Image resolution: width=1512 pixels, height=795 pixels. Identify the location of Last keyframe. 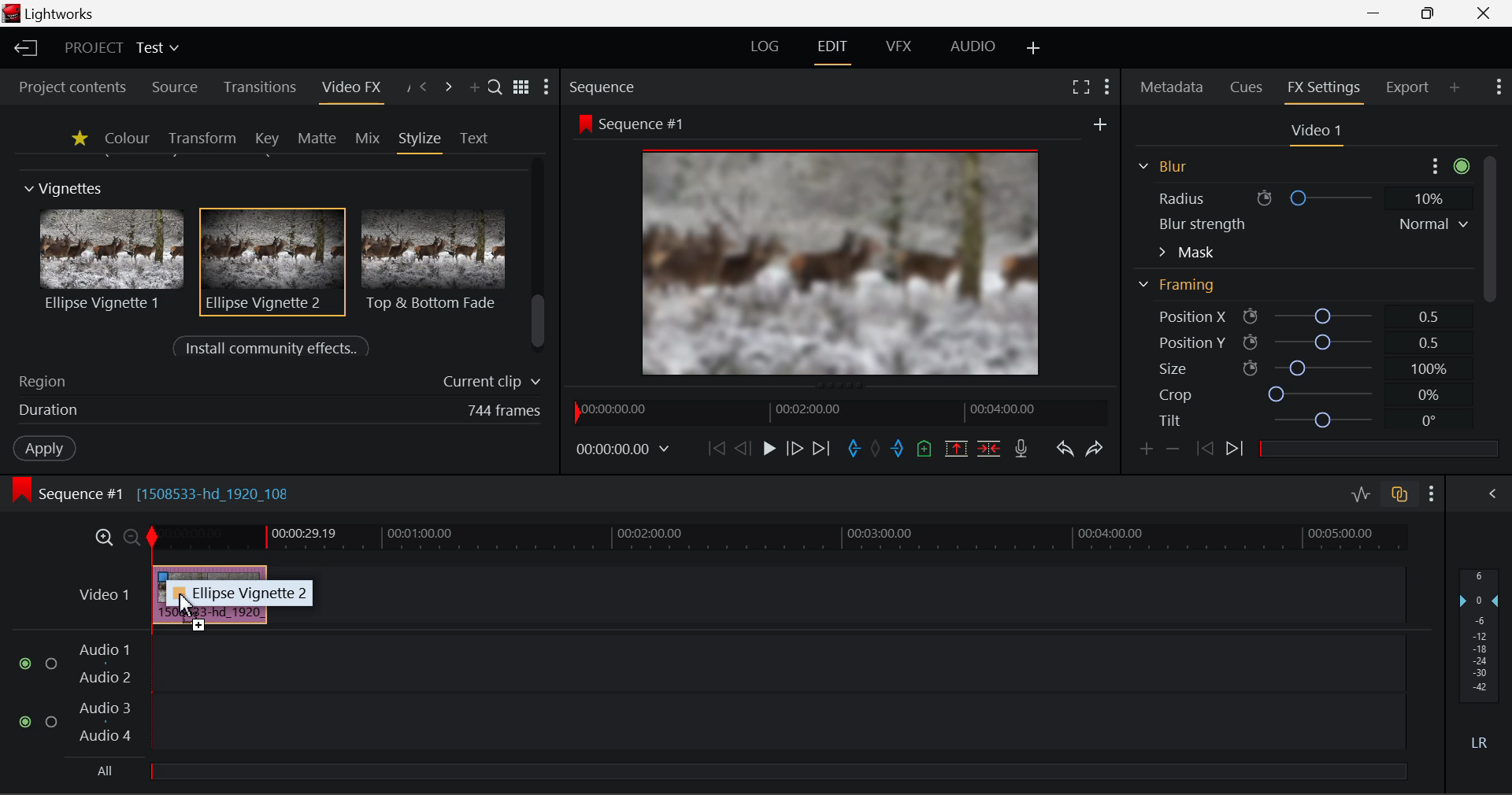
(1206, 451).